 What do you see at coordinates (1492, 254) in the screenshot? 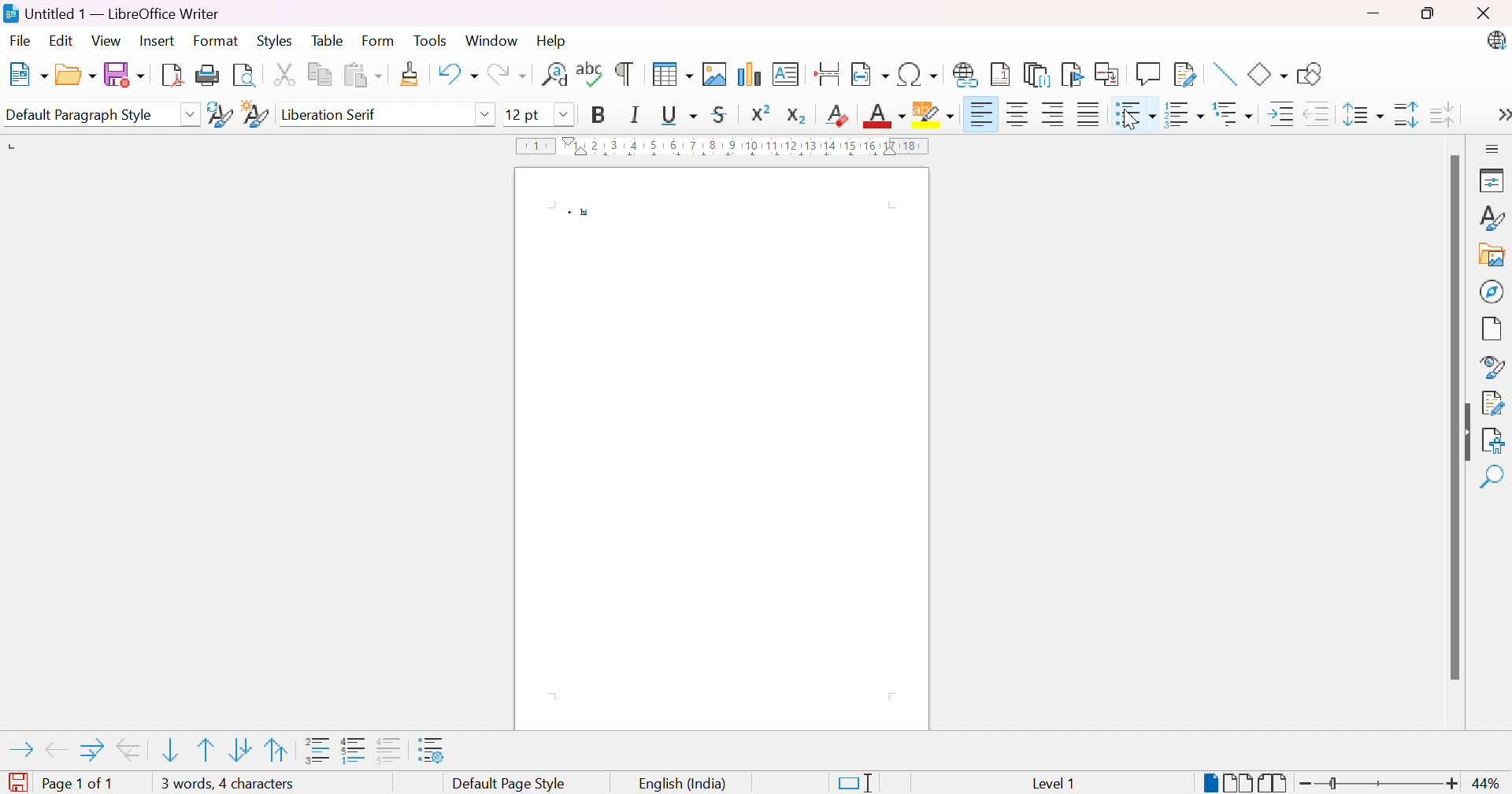
I see `Gallery` at bounding box center [1492, 254].